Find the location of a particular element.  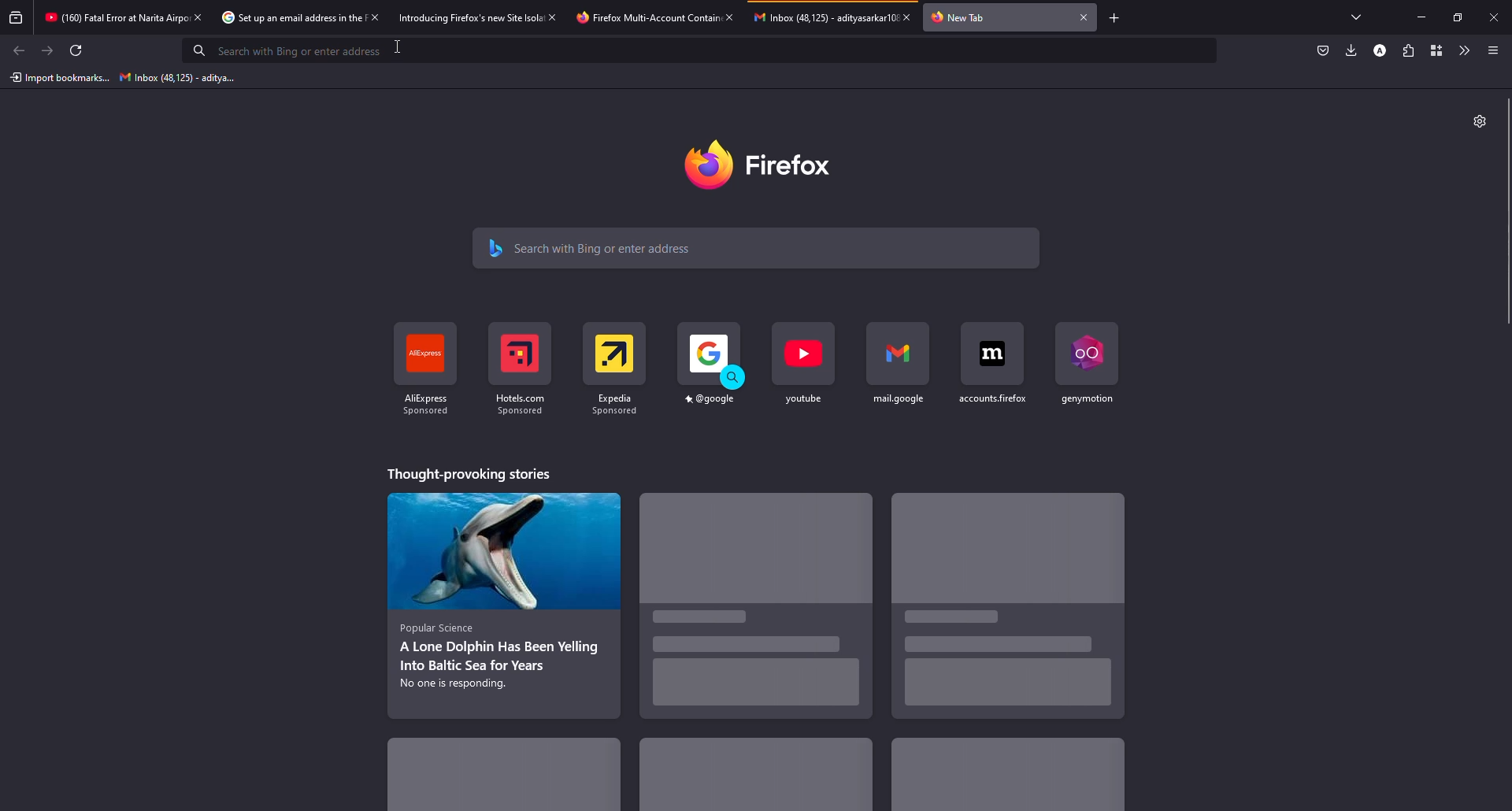

menu is located at coordinates (1493, 50).